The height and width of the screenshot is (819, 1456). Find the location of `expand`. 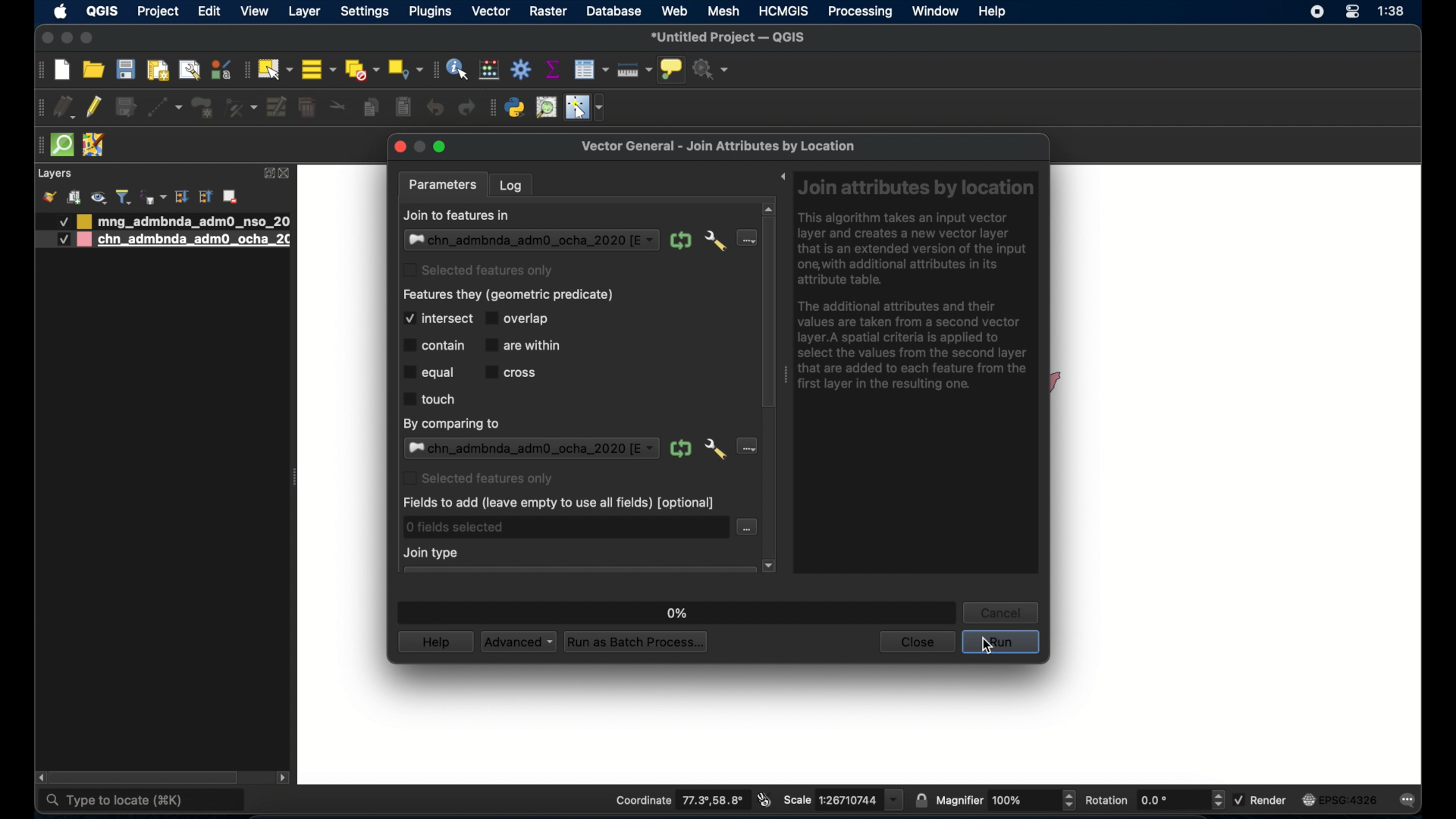

expand is located at coordinates (782, 179).